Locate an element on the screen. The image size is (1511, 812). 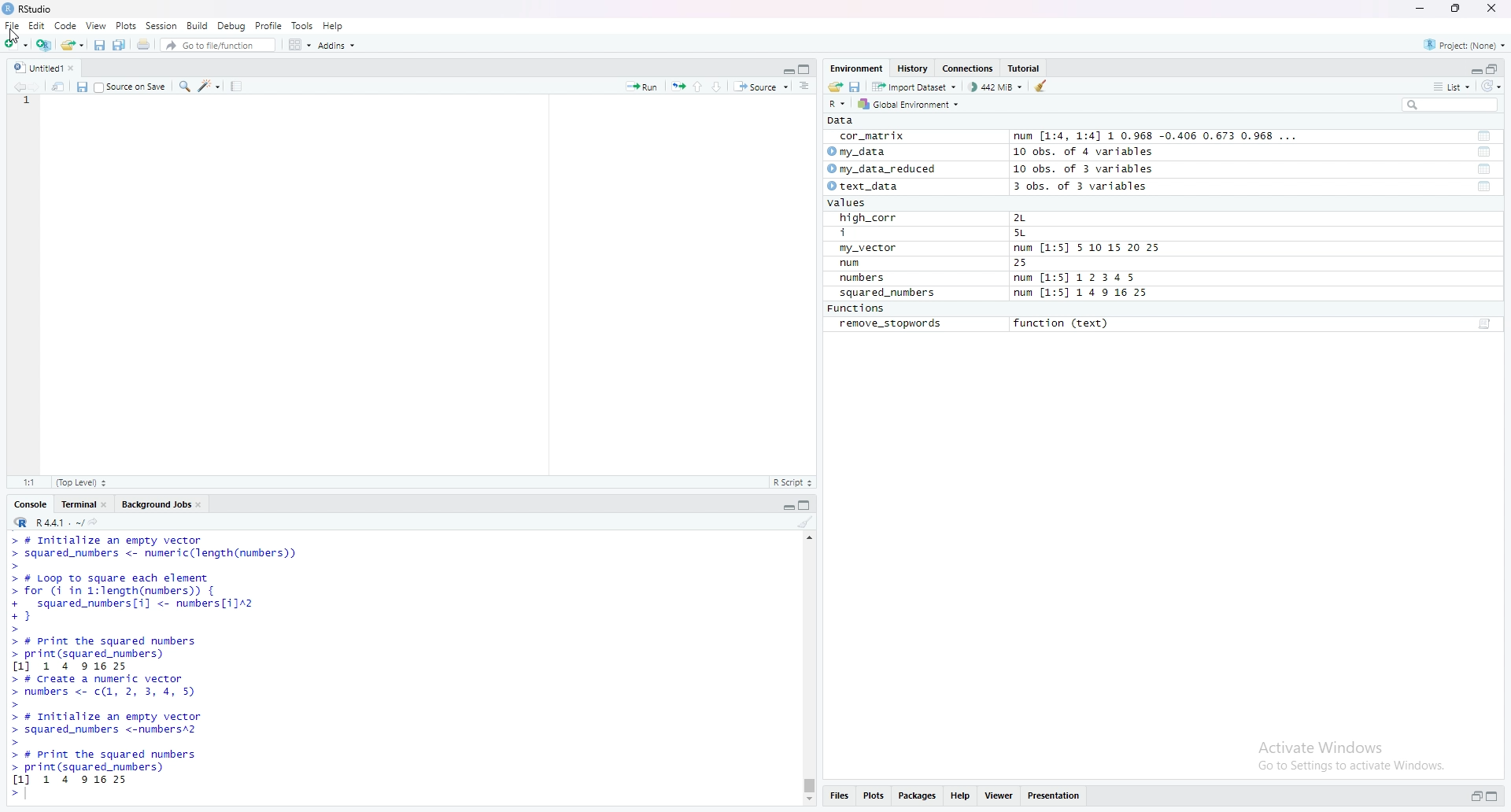
Code tools is located at coordinates (209, 86).